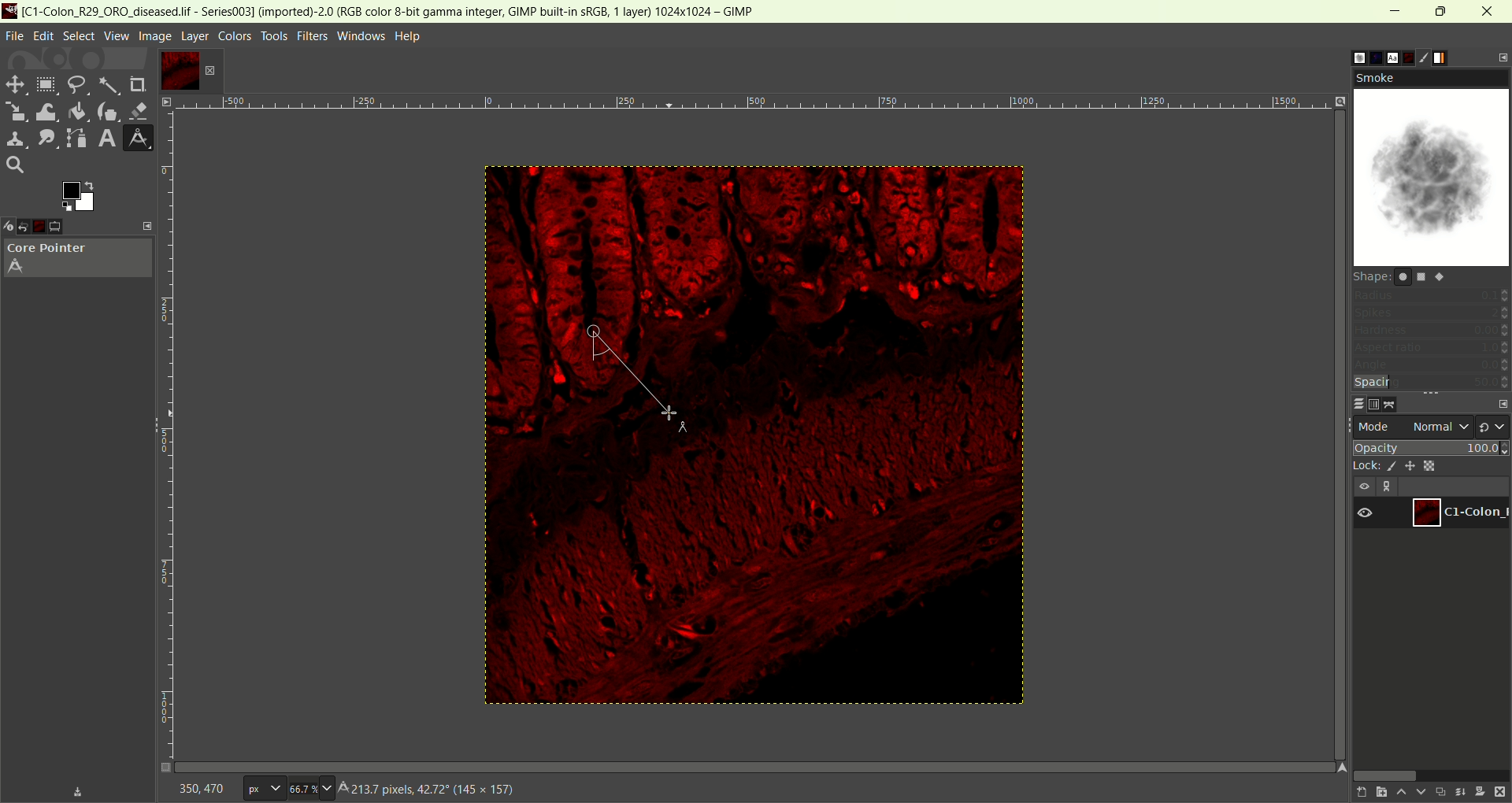 This screenshot has height=803, width=1512. I want to click on layer, so click(195, 37).